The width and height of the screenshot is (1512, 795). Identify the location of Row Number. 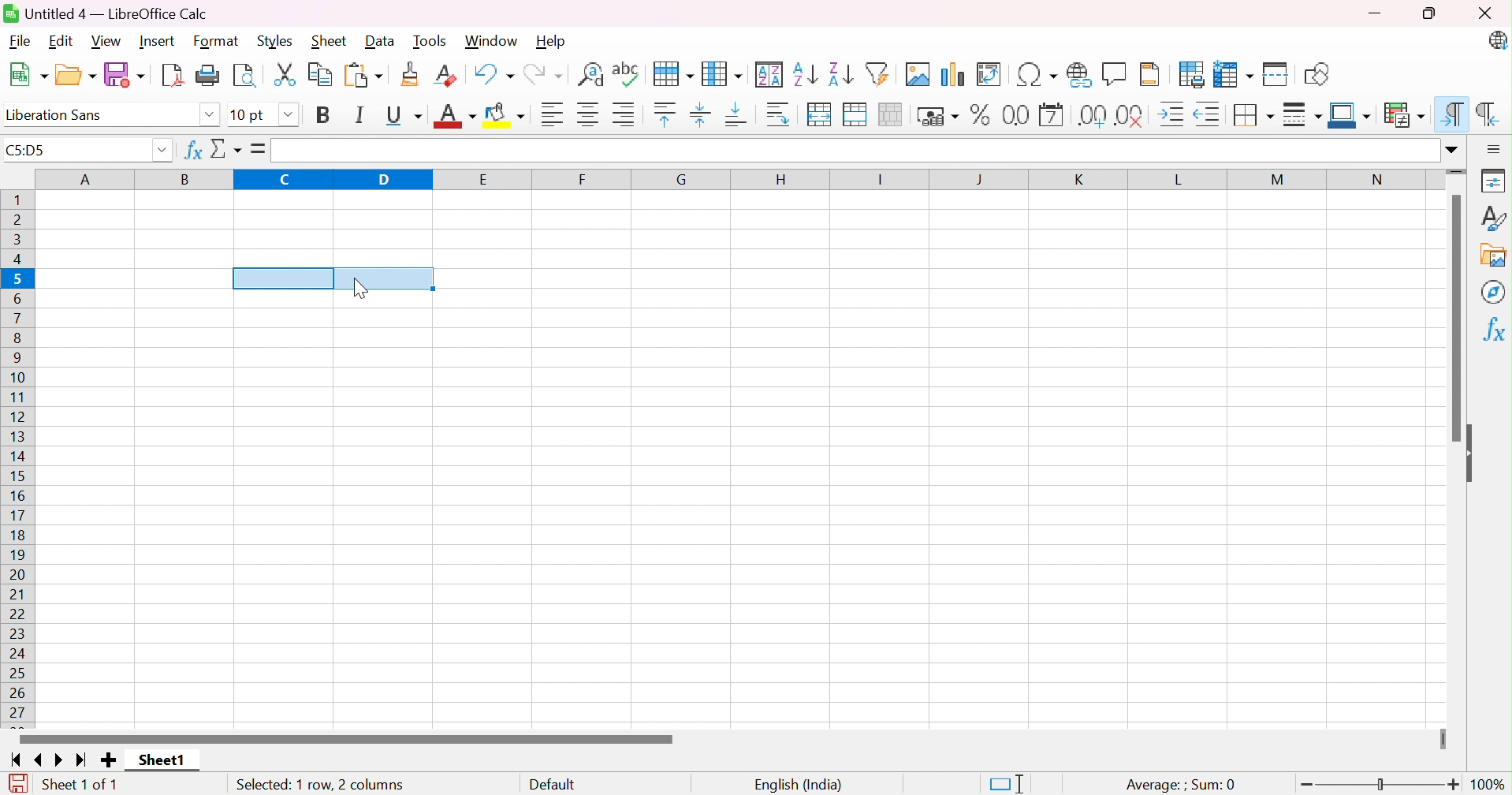
(20, 455).